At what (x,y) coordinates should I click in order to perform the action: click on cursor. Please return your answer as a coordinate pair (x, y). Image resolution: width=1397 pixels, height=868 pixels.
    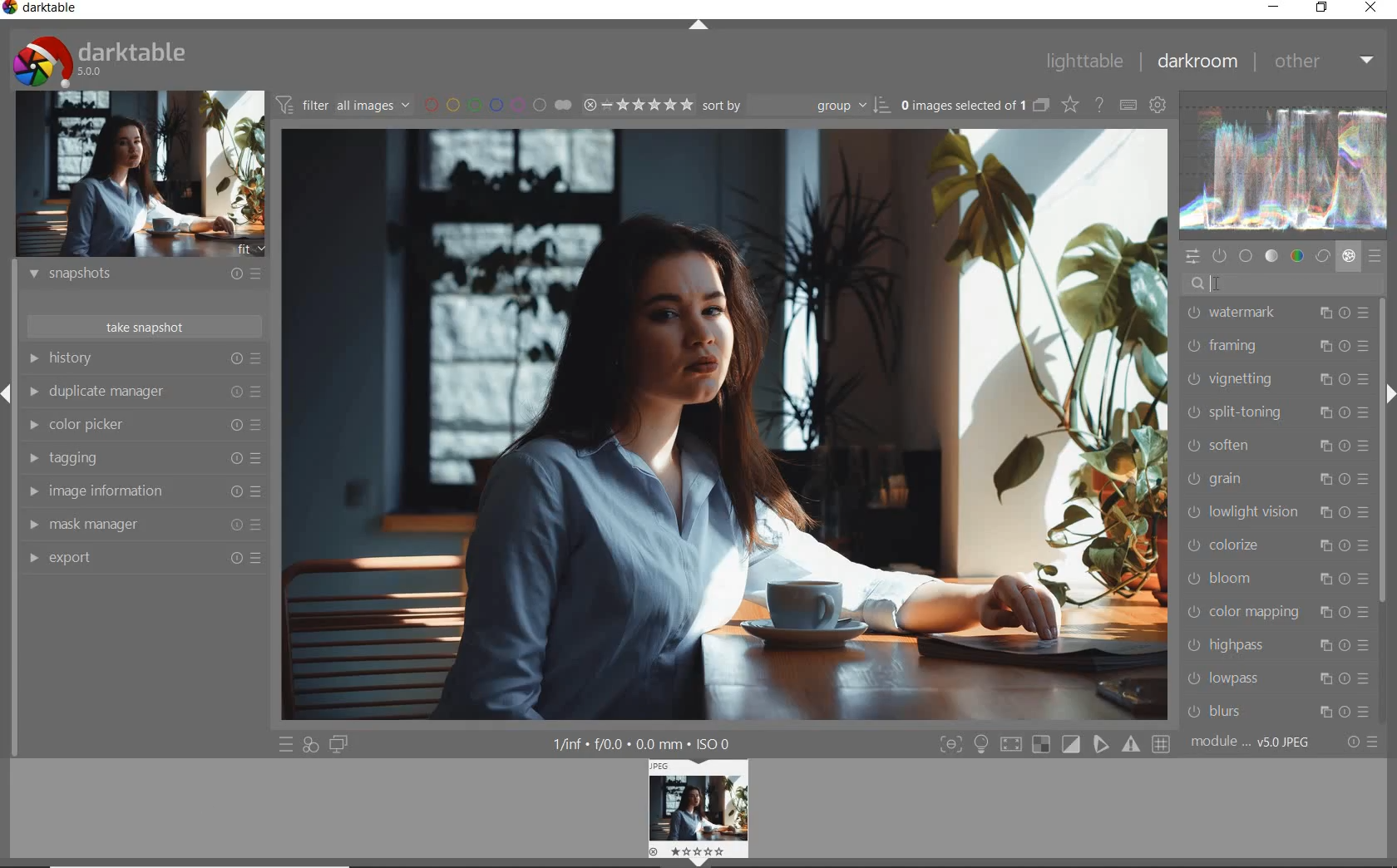
    Looking at the image, I should click on (1224, 281).